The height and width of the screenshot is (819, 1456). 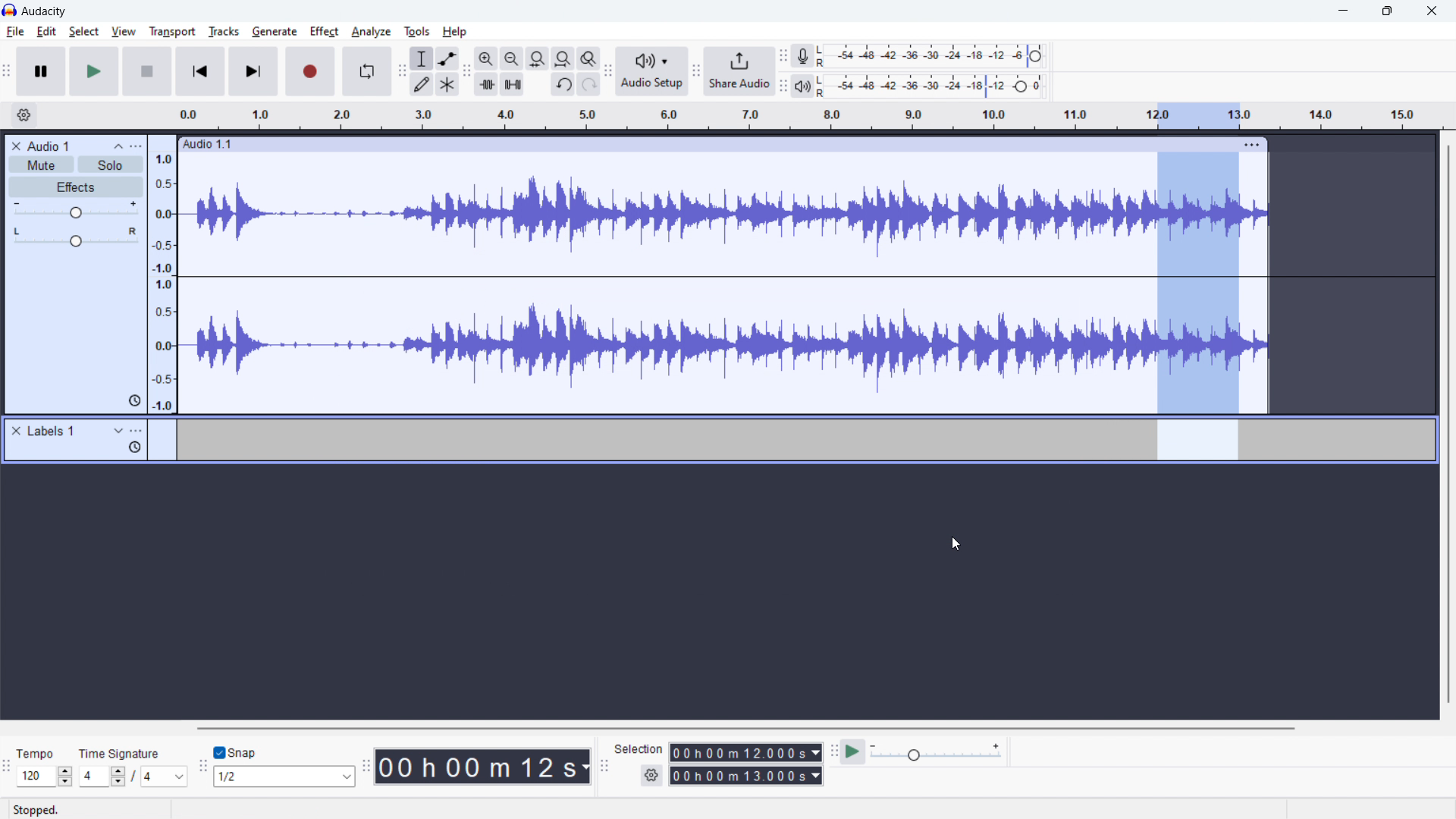 I want to click on track title, so click(x=50, y=146).